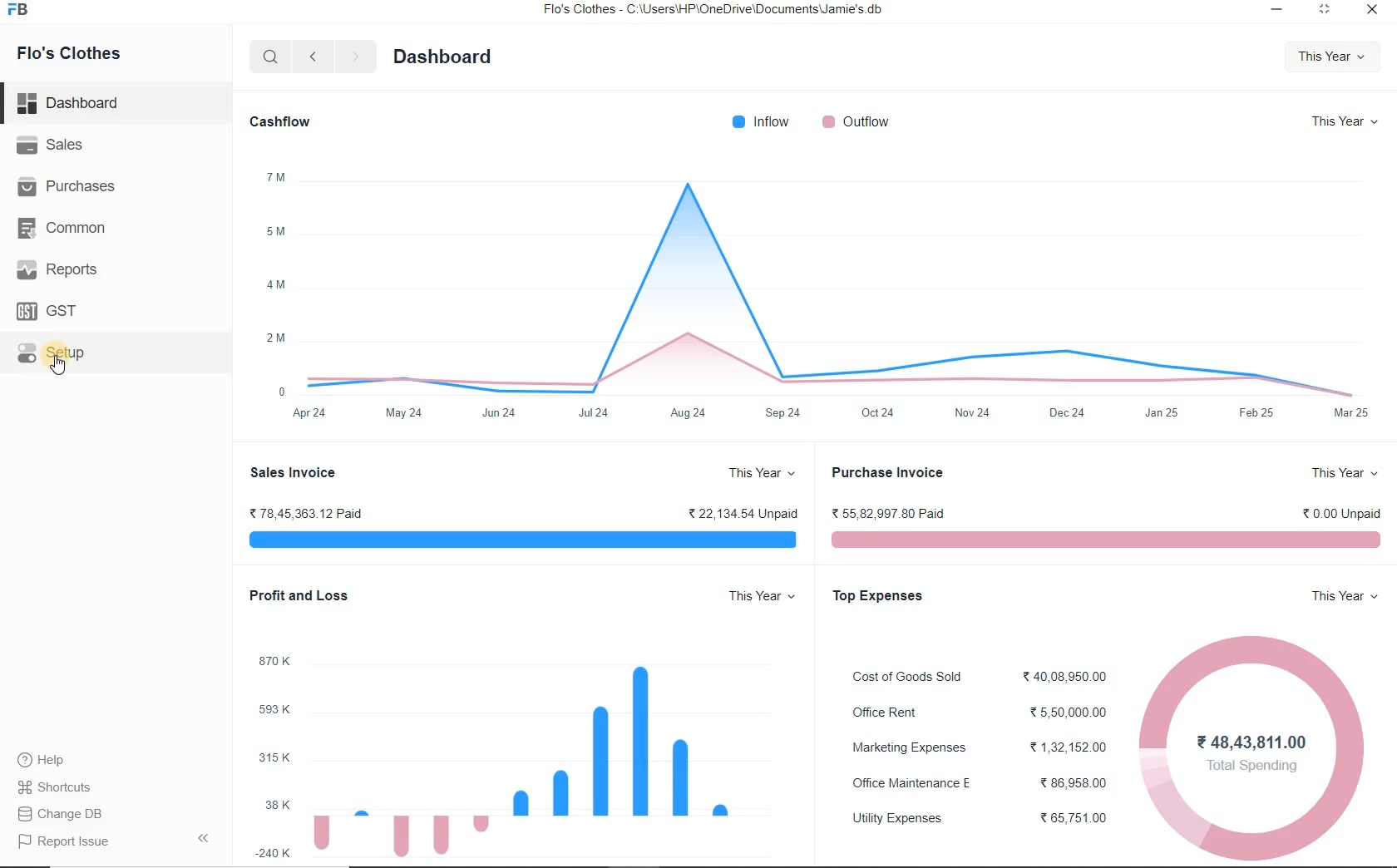 This screenshot has width=1397, height=868. I want to click on R 78,45,363.12 Paid, so click(304, 513).